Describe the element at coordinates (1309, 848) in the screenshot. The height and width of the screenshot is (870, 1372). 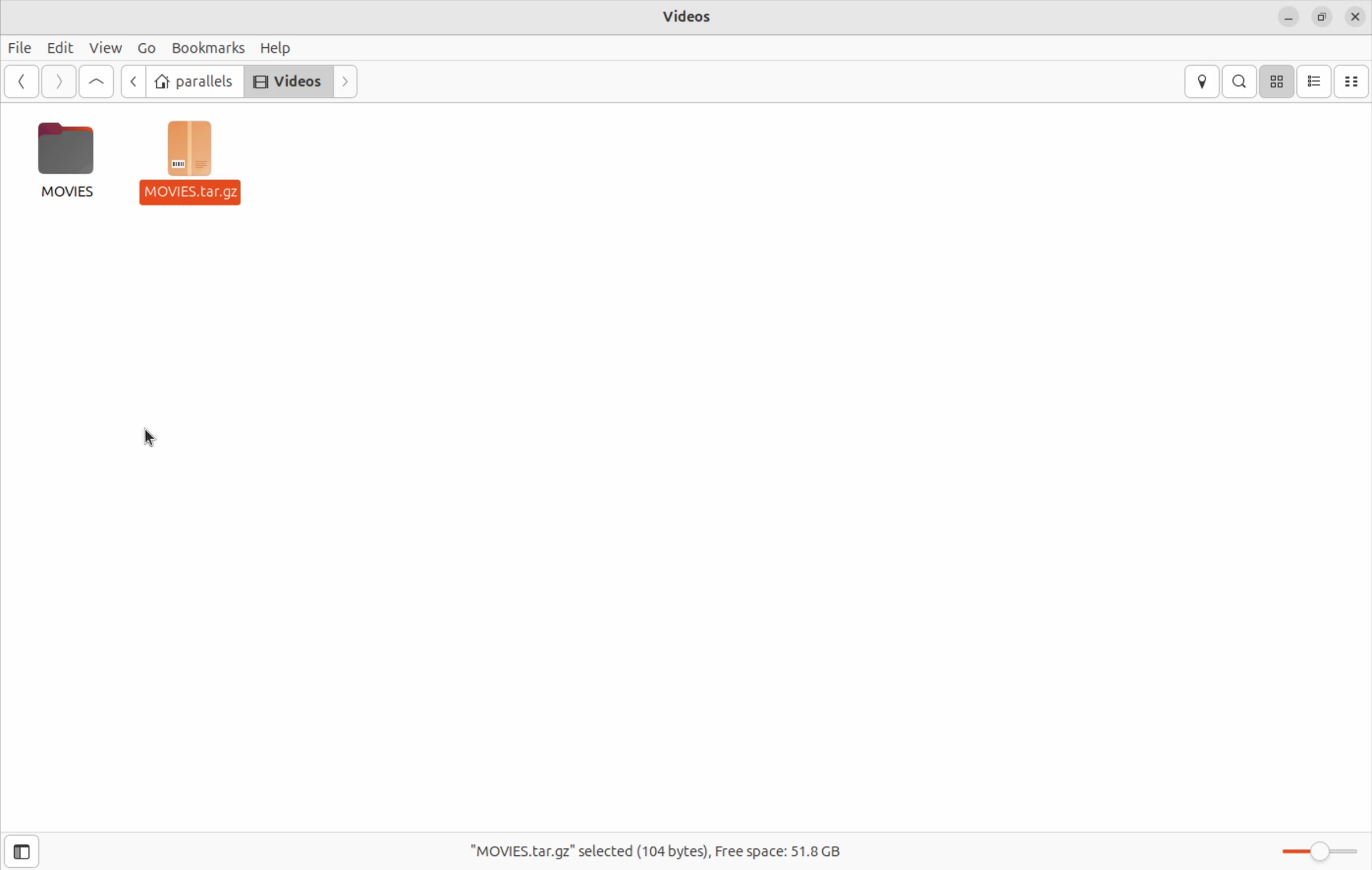
I see `toggle zoom bar` at that location.